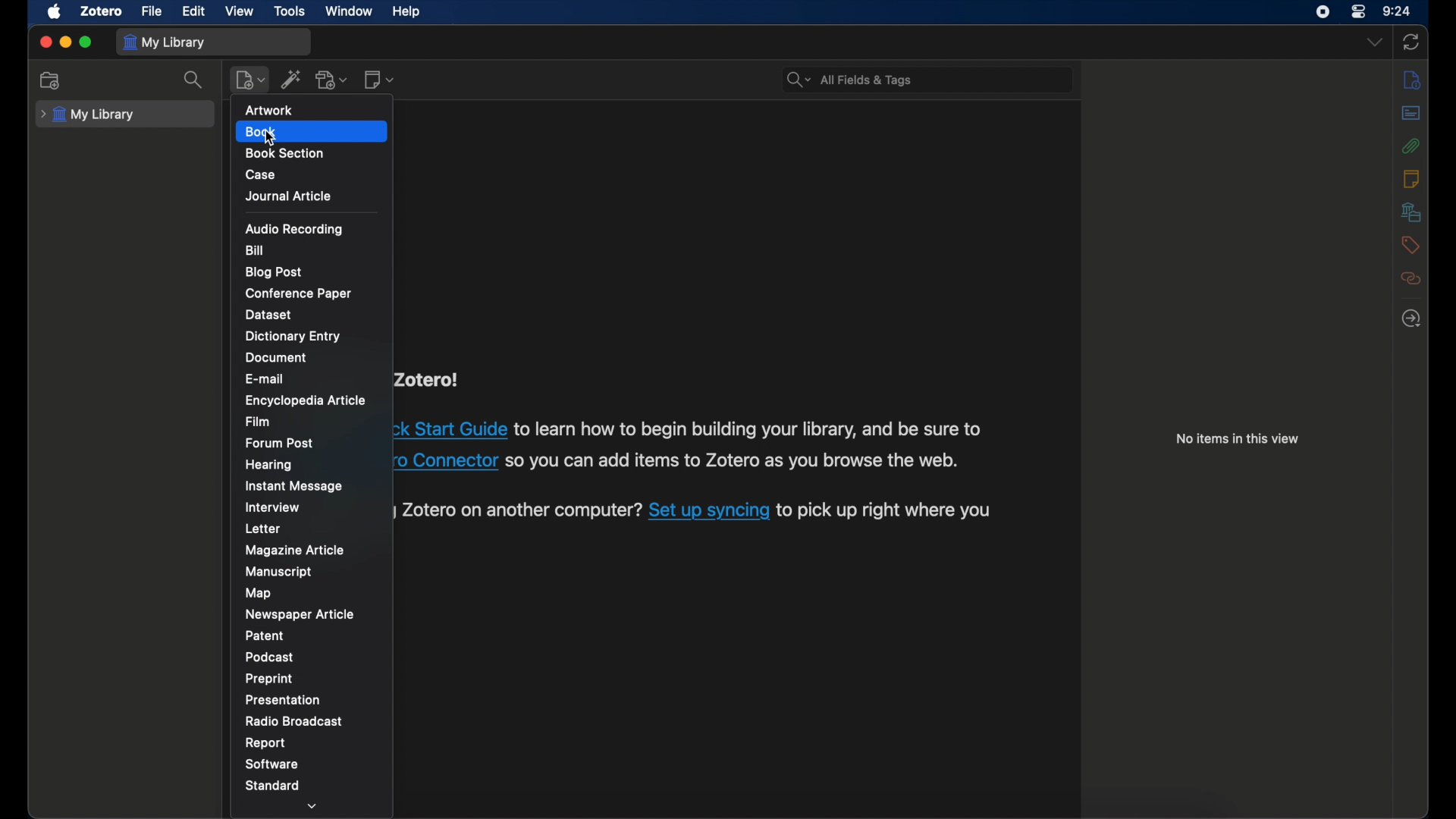 The width and height of the screenshot is (1456, 819). Describe the element at coordinates (291, 79) in the screenshot. I see `add items` at that location.